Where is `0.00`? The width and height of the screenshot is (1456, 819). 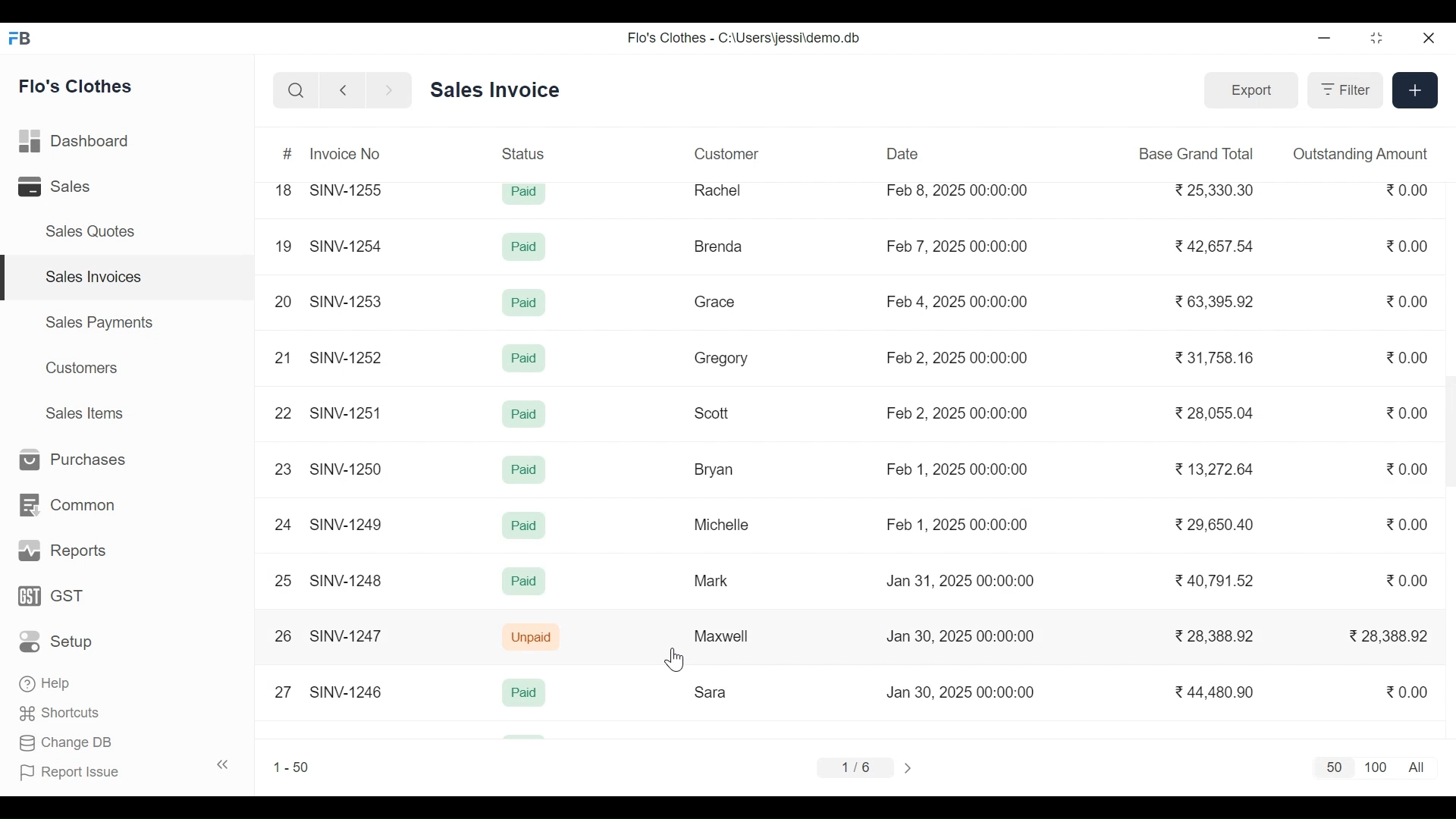
0.00 is located at coordinates (1409, 190).